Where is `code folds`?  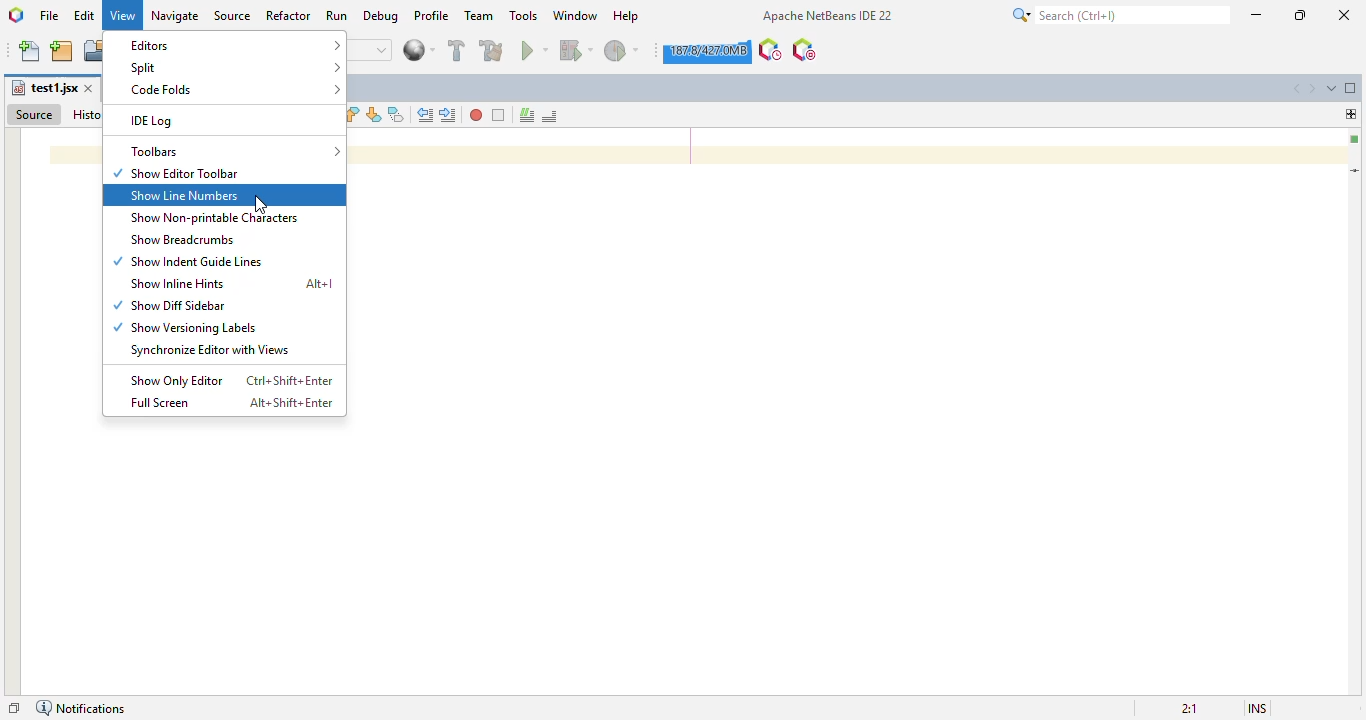 code folds is located at coordinates (236, 89).